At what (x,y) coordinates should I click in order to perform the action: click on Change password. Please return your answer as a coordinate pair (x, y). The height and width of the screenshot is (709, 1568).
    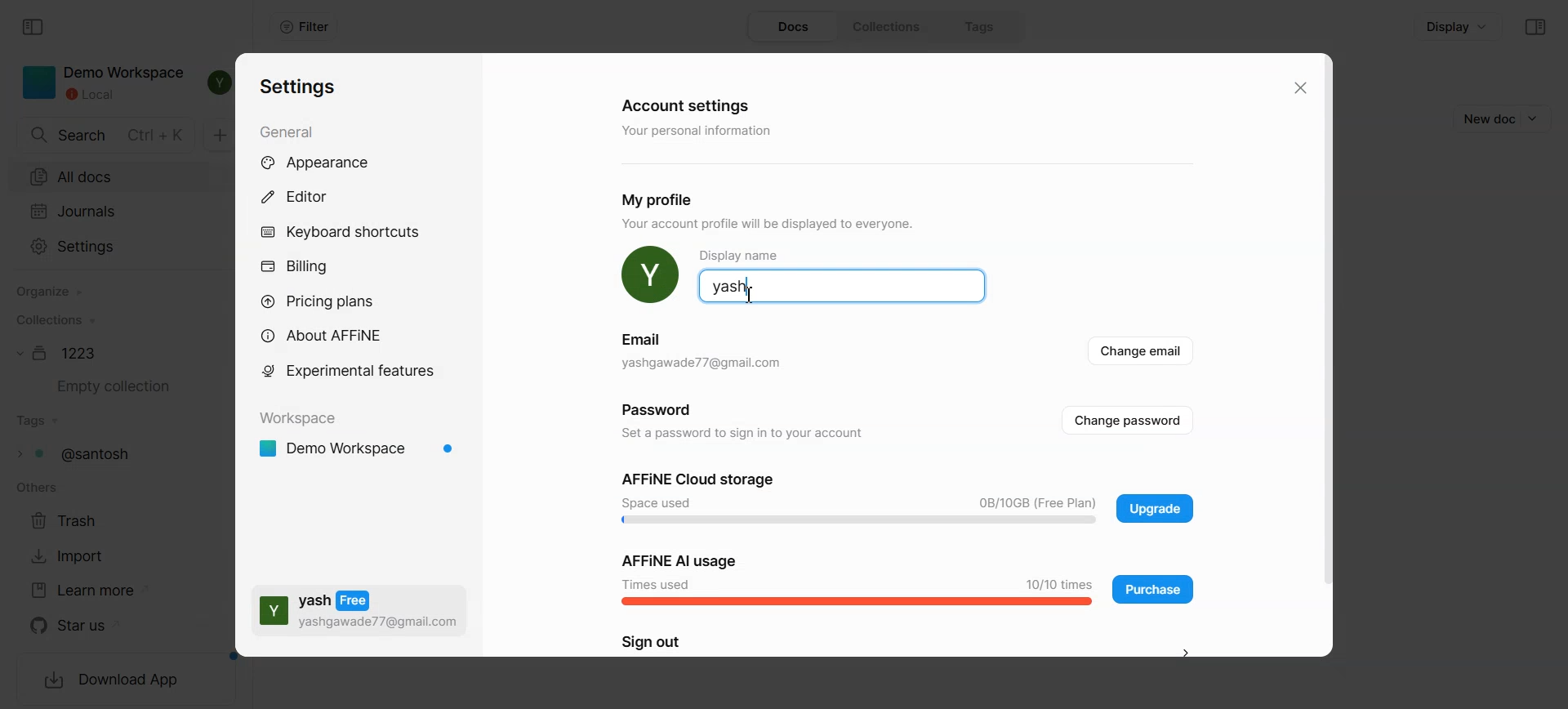
    Looking at the image, I should click on (1130, 420).